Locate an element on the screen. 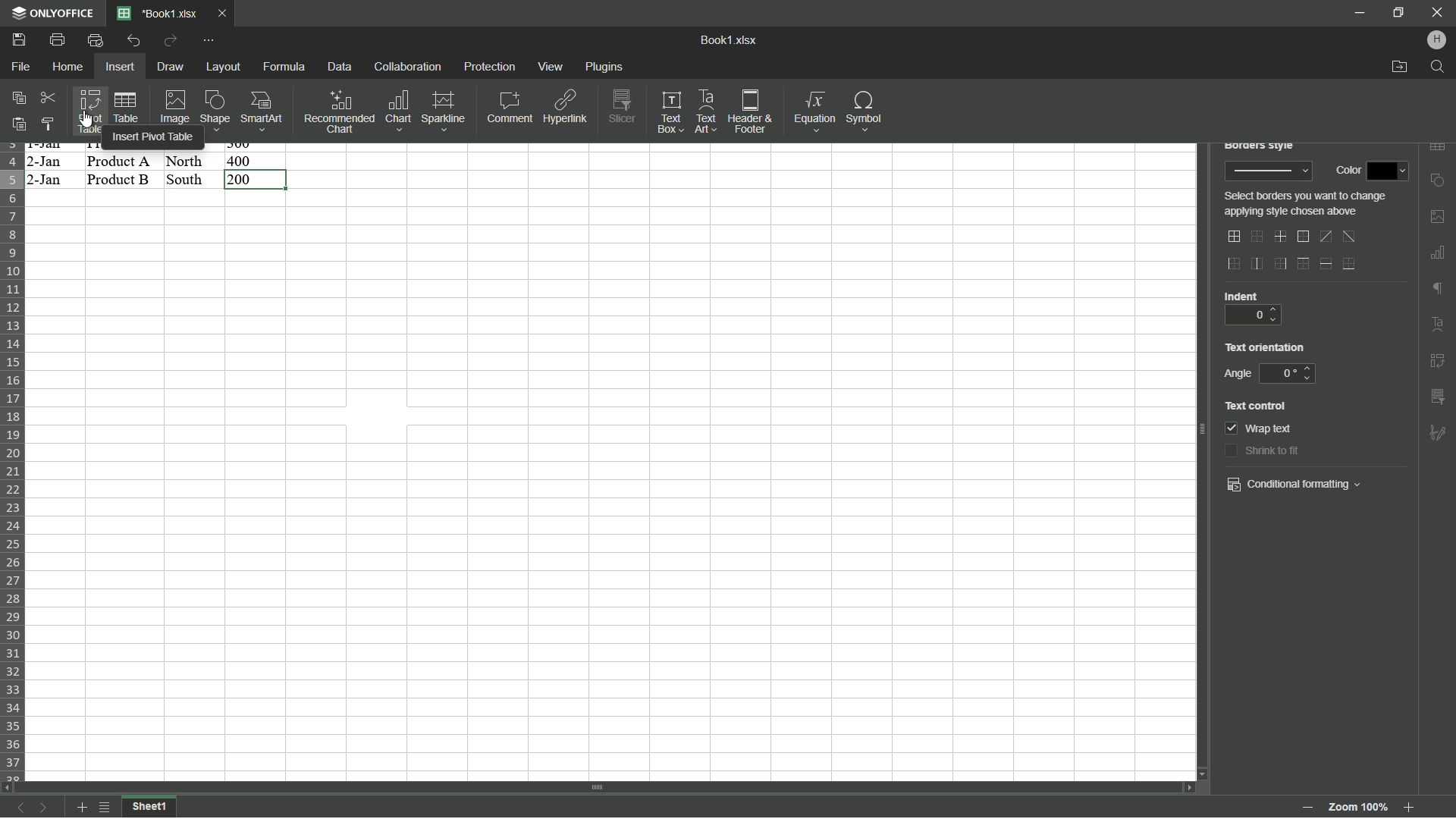  insert table is located at coordinates (1439, 146).